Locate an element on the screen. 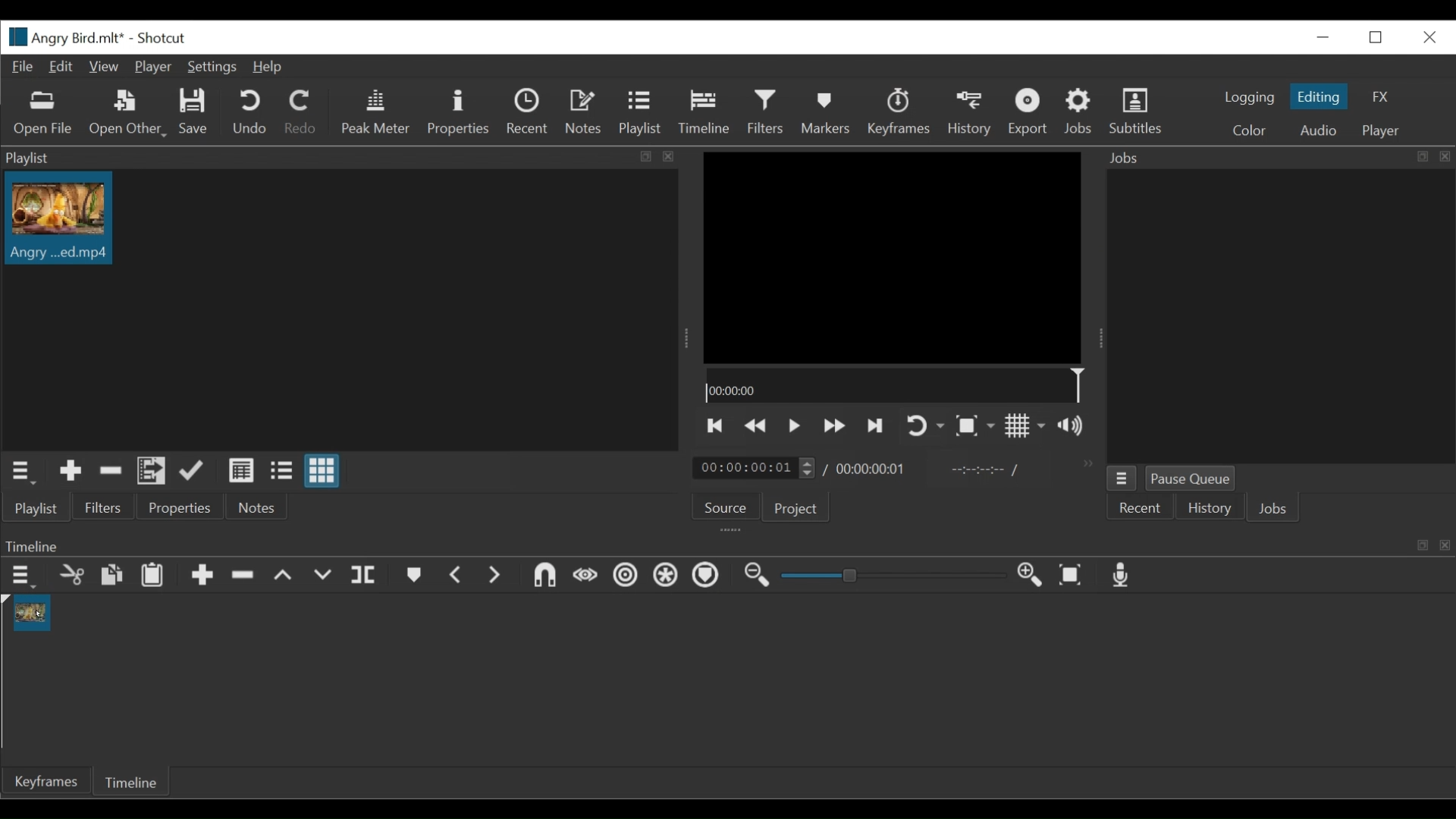 The height and width of the screenshot is (819, 1456). Lift is located at coordinates (285, 576).